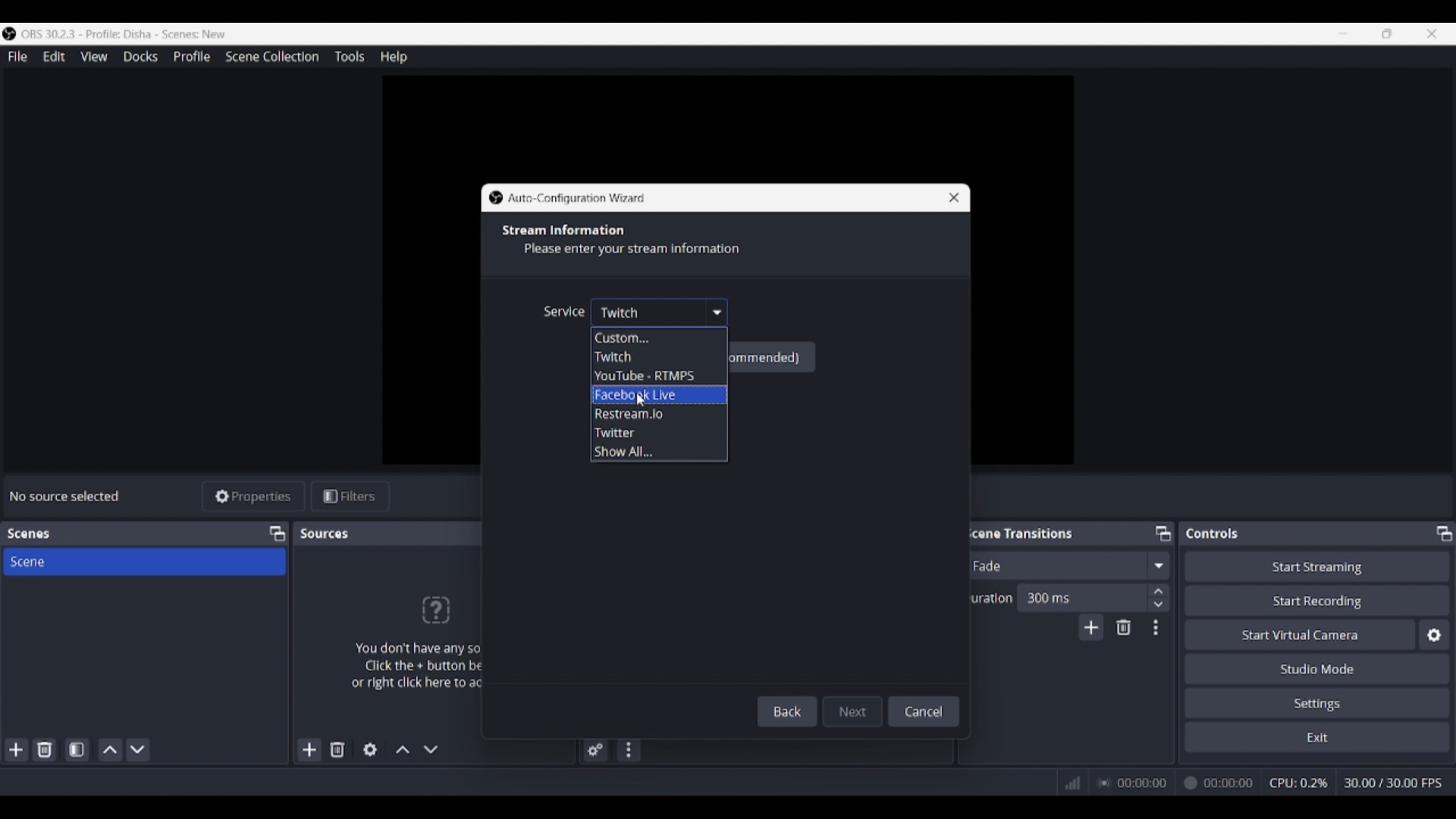  What do you see at coordinates (924, 710) in the screenshot?
I see `Cancel` at bounding box center [924, 710].